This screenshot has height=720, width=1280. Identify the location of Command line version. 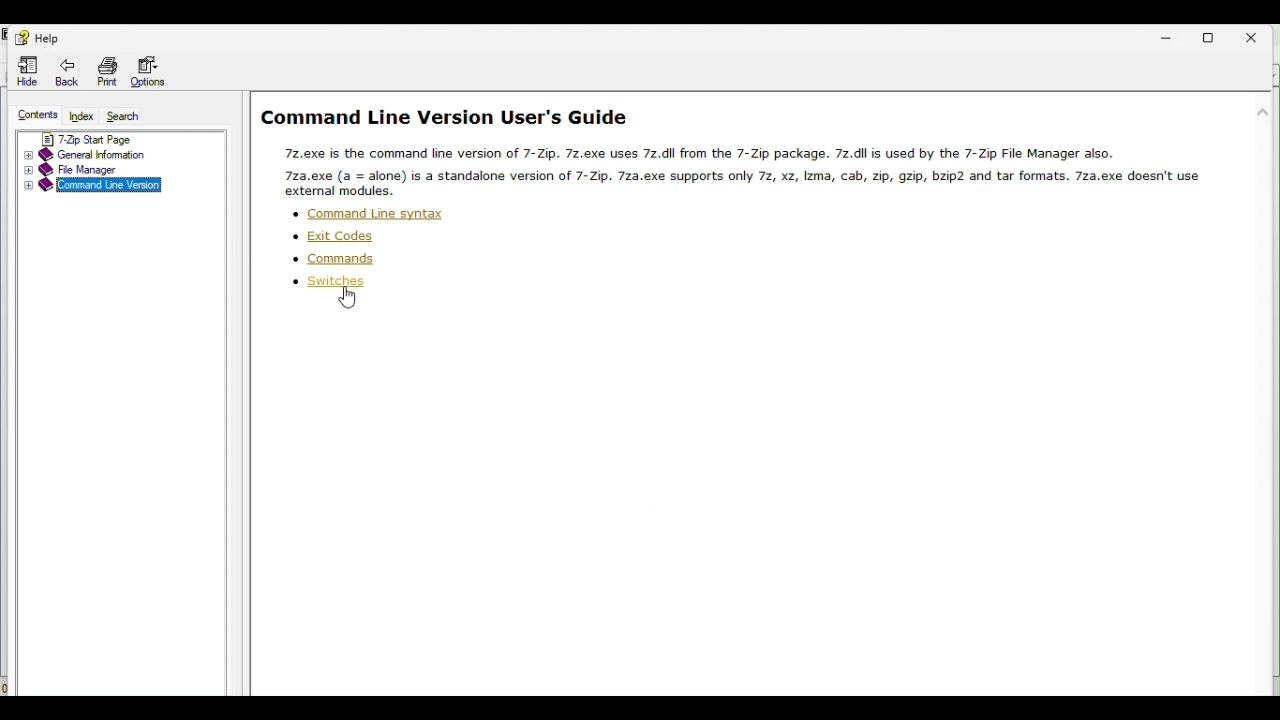
(101, 187).